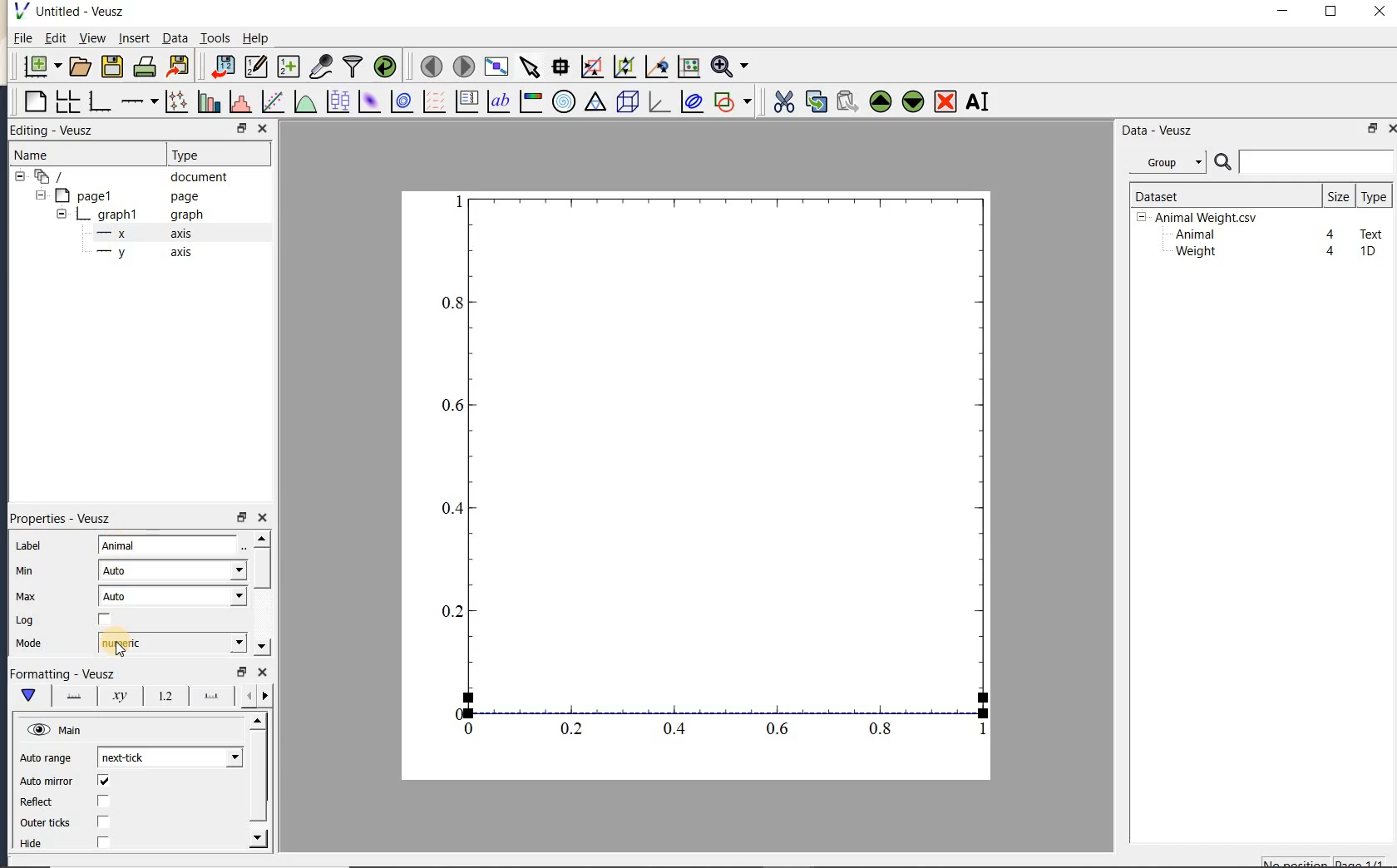  Describe the element at coordinates (173, 596) in the screenshot. I see `Auto` at that location.